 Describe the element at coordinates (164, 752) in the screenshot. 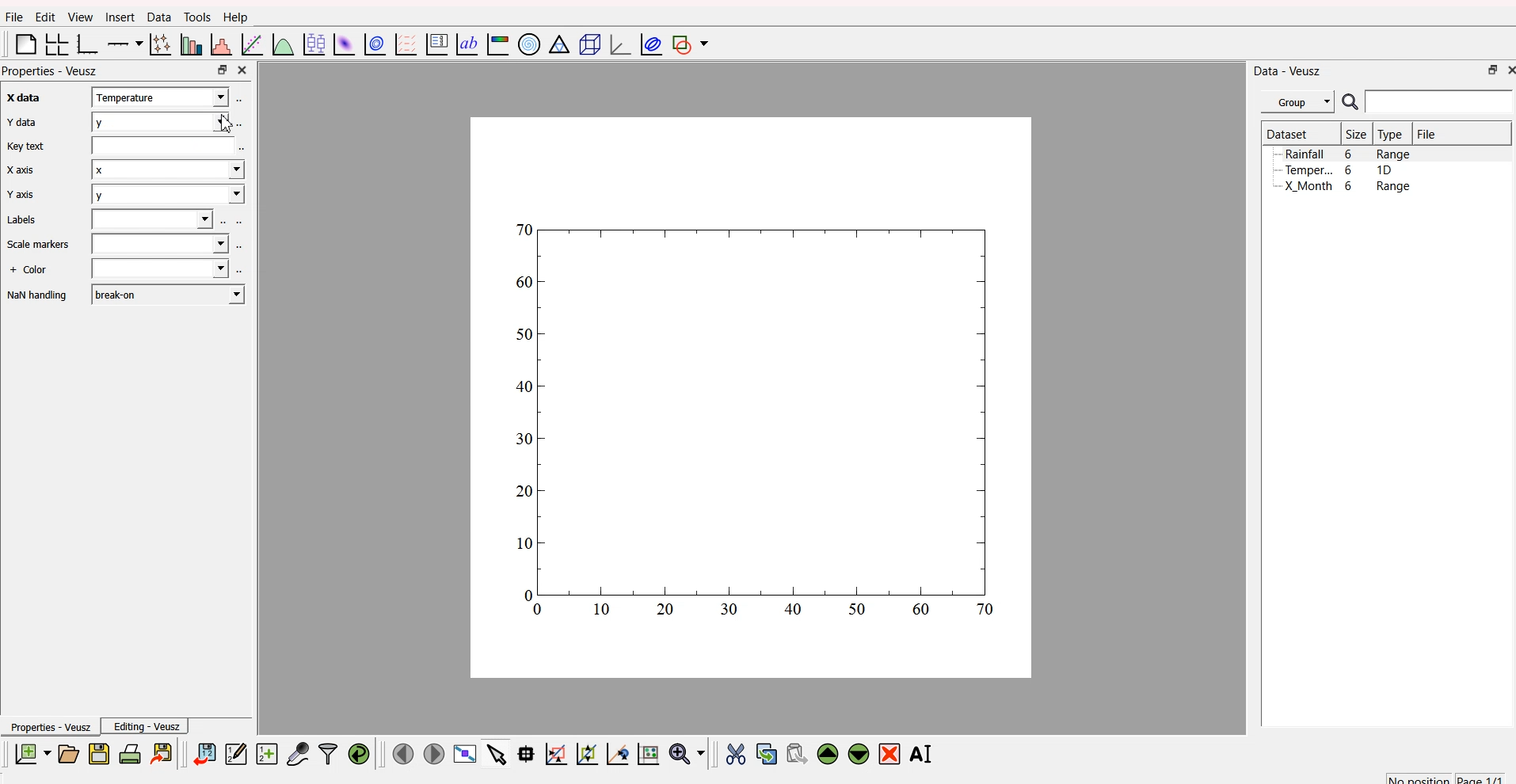

I see `export to graphics format` at that location.